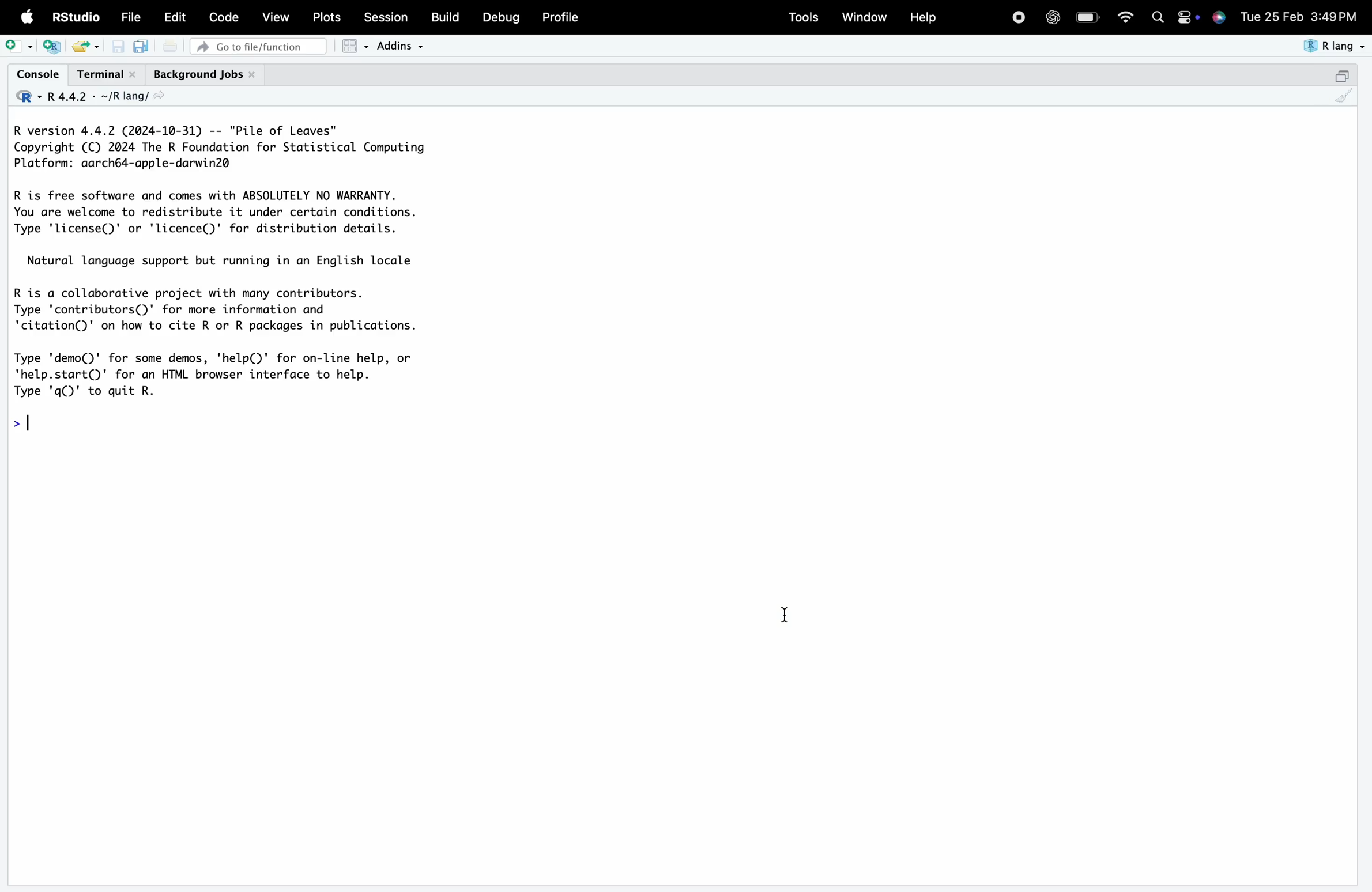 This screenshot has height=892, width=1372. Describe the element at coordinates (1125, 16) in the screenshot. I see `wifi` at that location.